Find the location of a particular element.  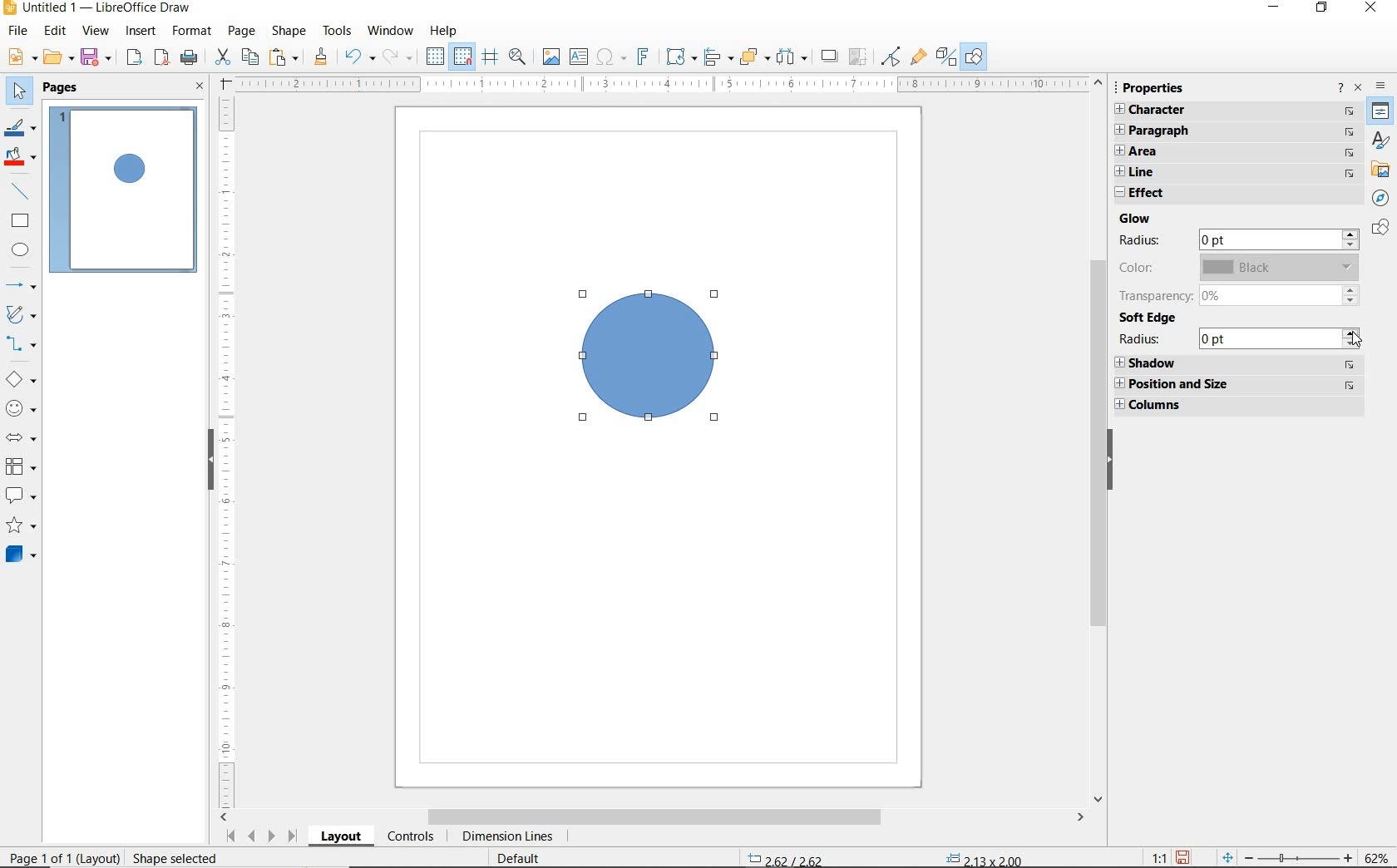

2.13 x 2.00 is located at coordinates (984, 860).